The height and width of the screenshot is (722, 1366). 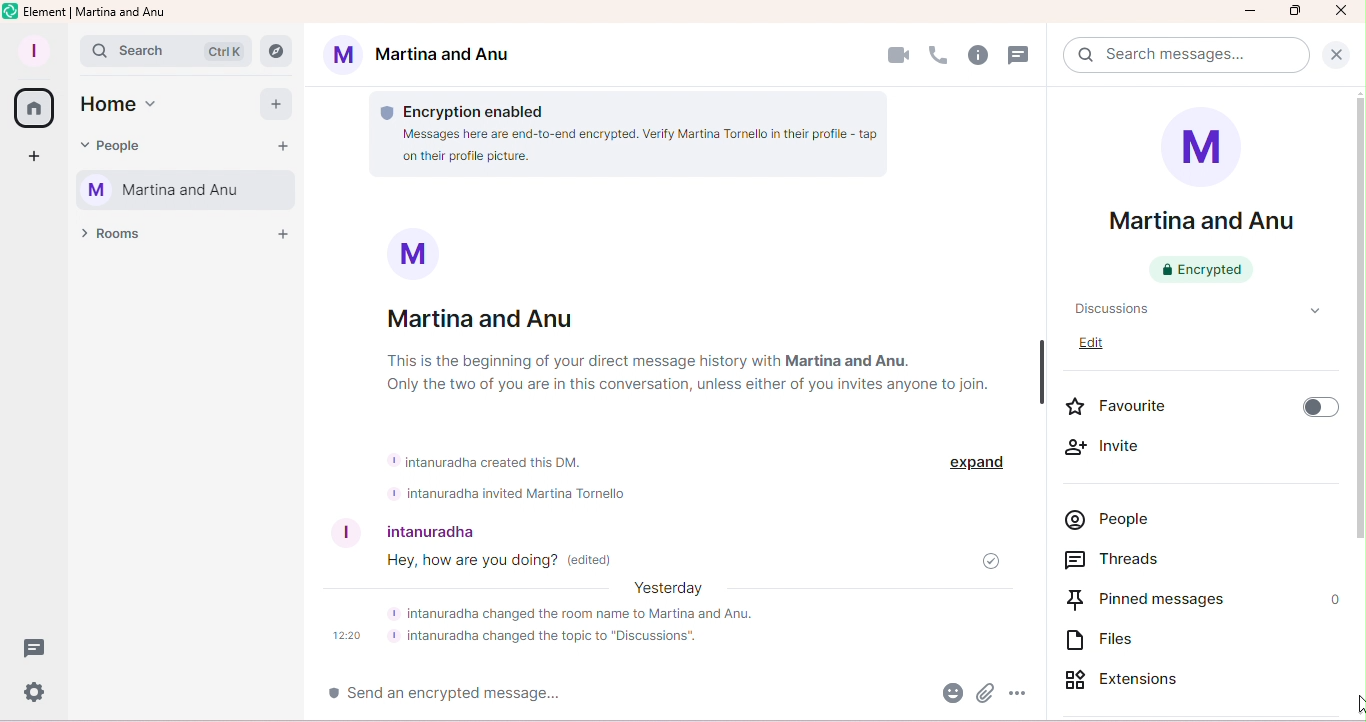 I want to click on Attachment, so click(x=985, y=696).